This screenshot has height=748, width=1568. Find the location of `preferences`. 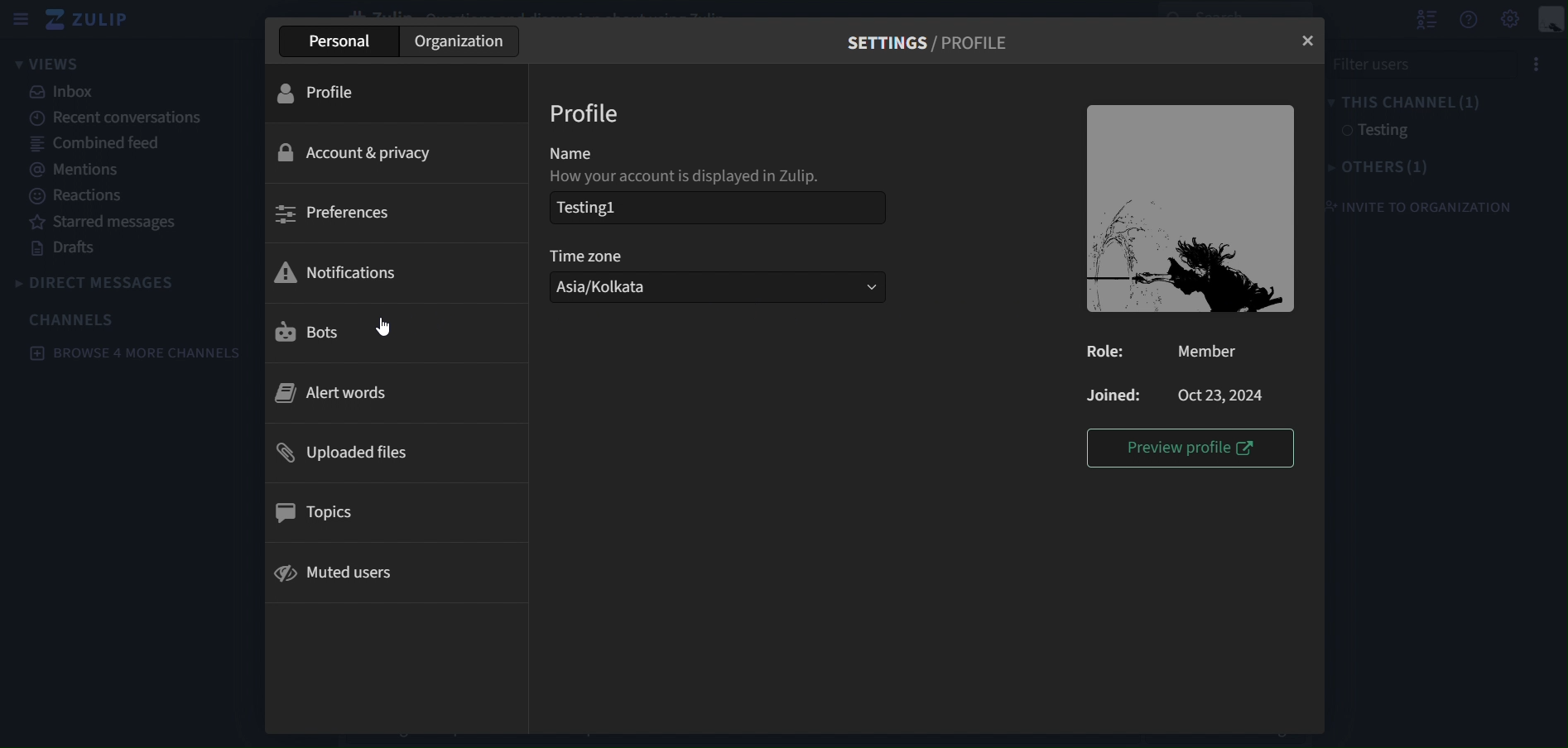

preferences is located at coordinates (341, 216).